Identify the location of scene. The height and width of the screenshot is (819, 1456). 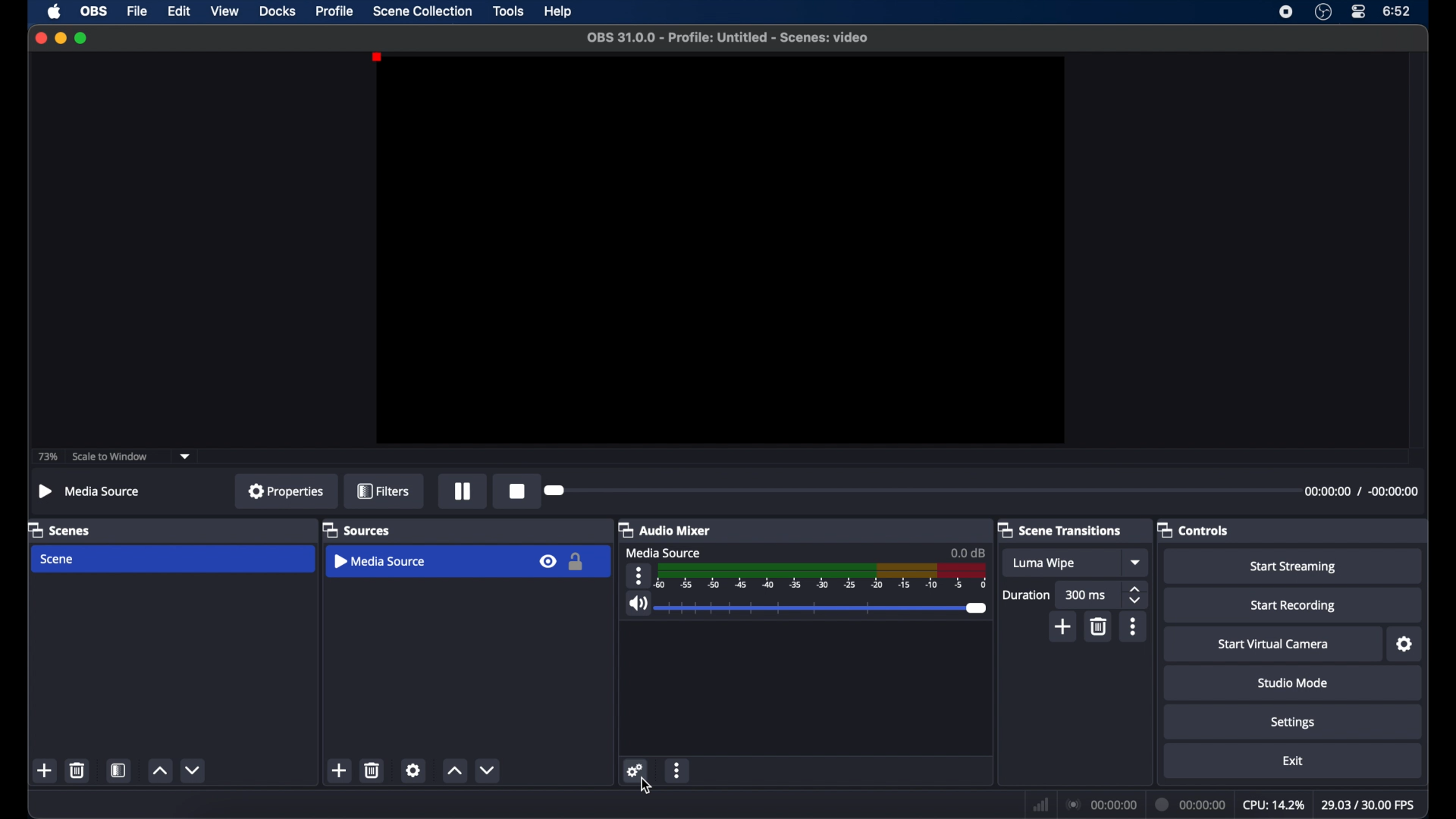
(58, 559).